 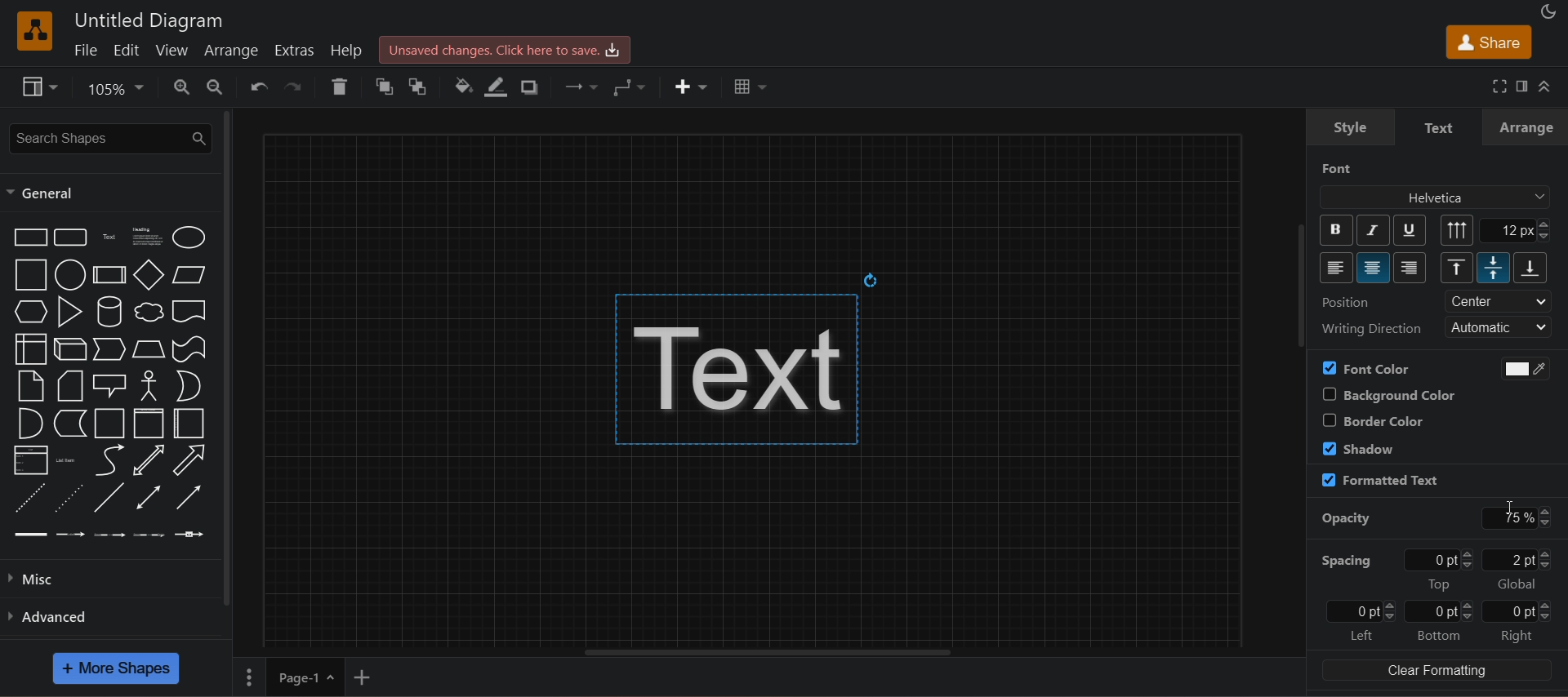 I want to click on 0pt, so click(x=1442, y=559).